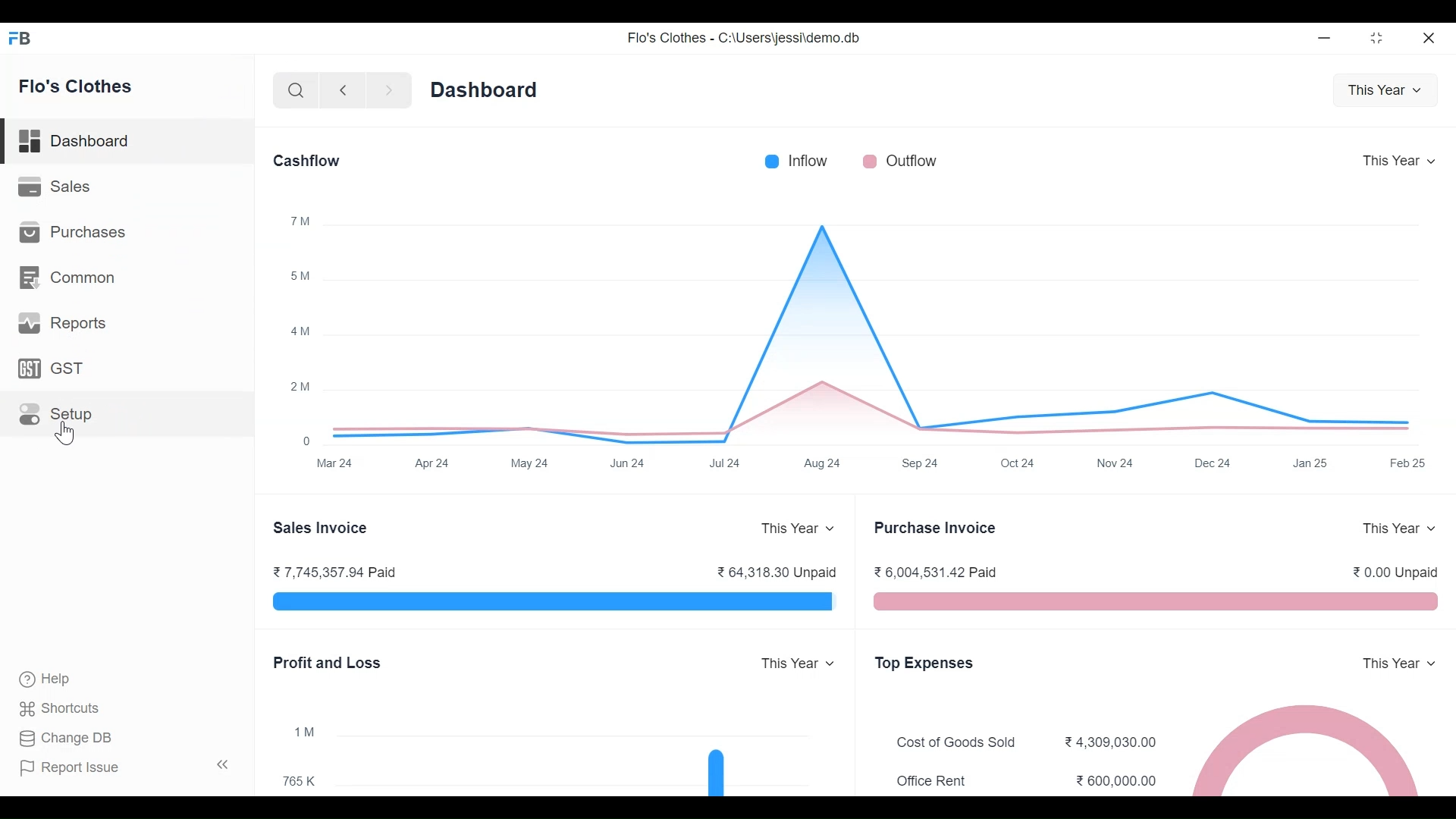 The height and width of the screenshot is (819, 1456). Describe the element at coordinates (64, 431) in the screenshot. I see `Cursor` at that location.